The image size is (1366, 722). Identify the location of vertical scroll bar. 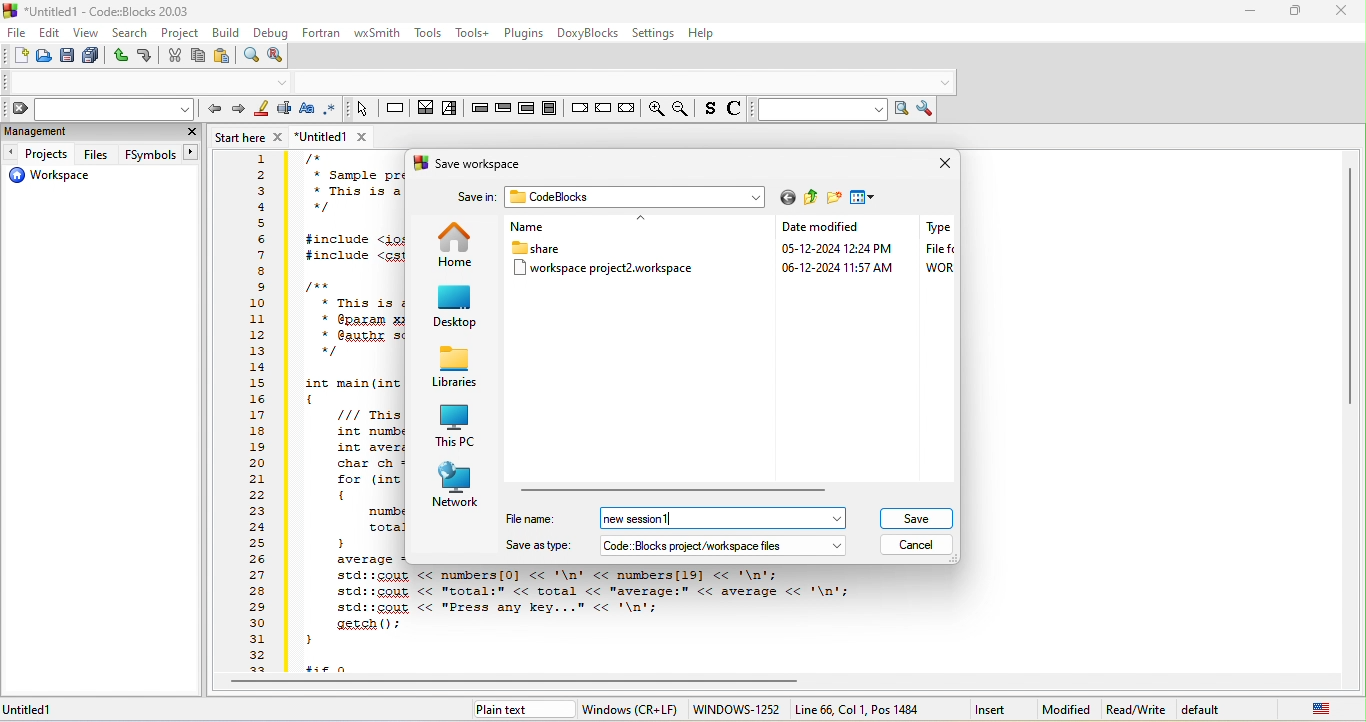
(1350, 285).